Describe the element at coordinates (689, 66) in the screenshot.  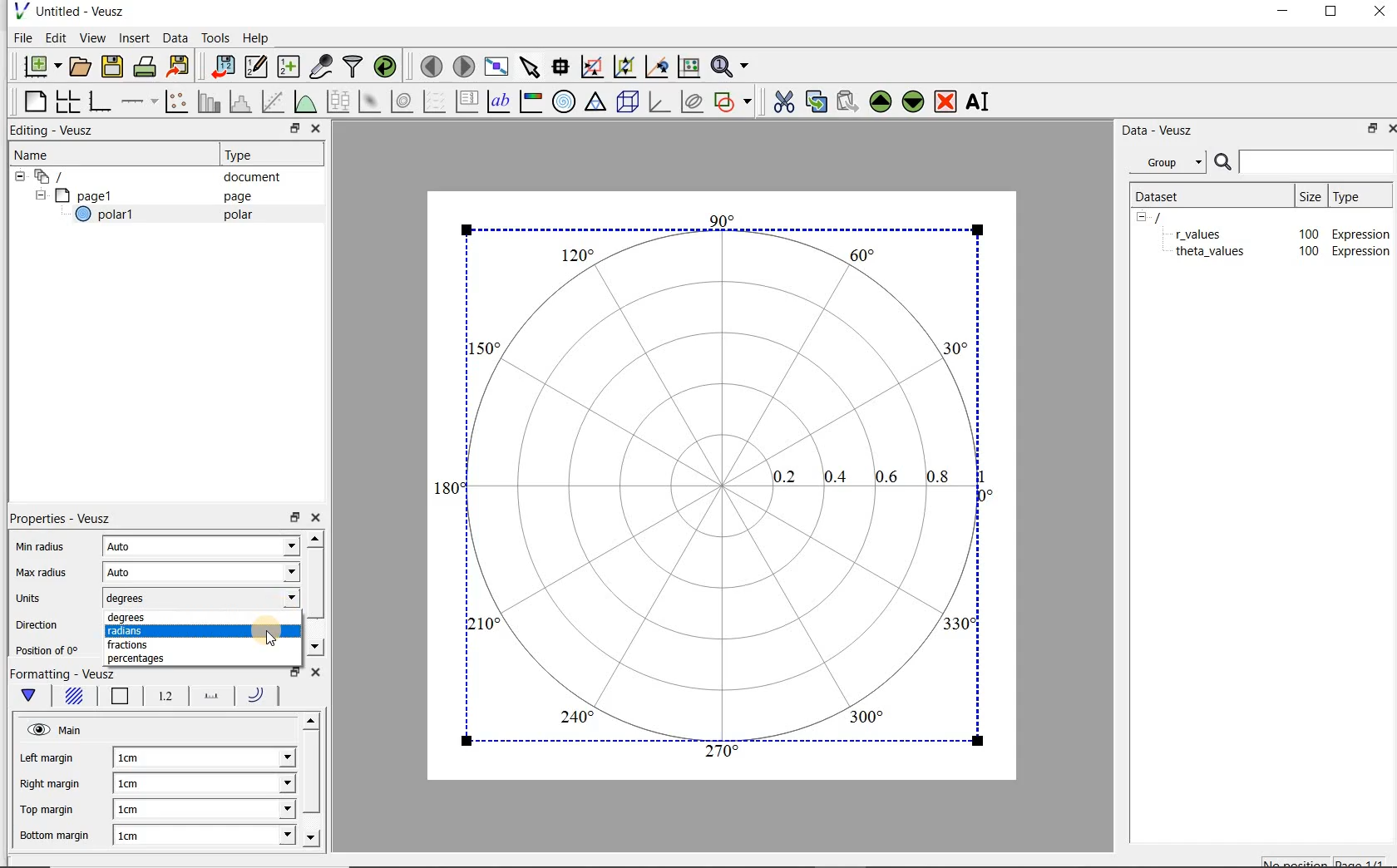
I see `click to reset graph axes` at that location.